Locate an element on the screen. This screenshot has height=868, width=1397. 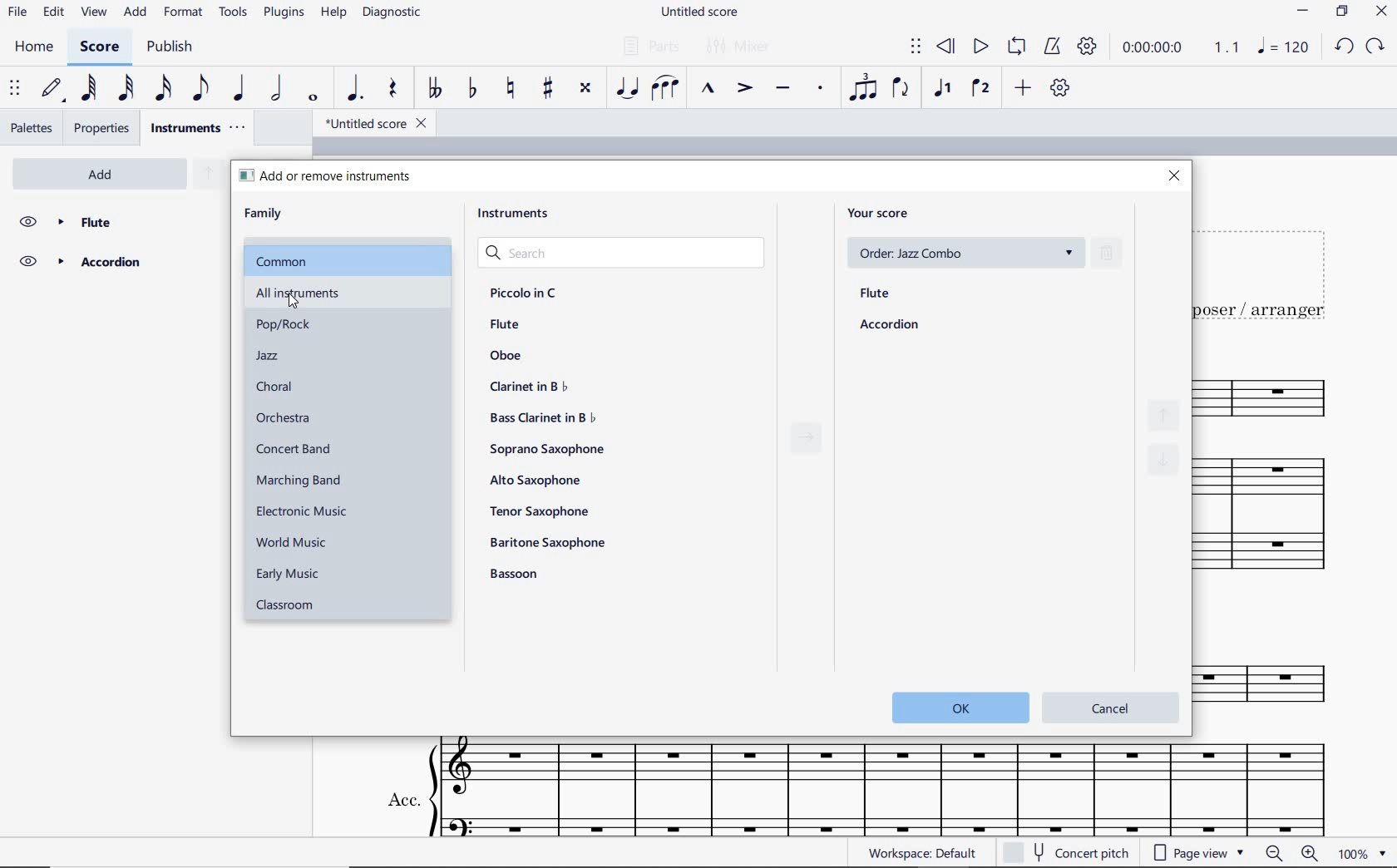
oboe is located at coordinates (506, 355).